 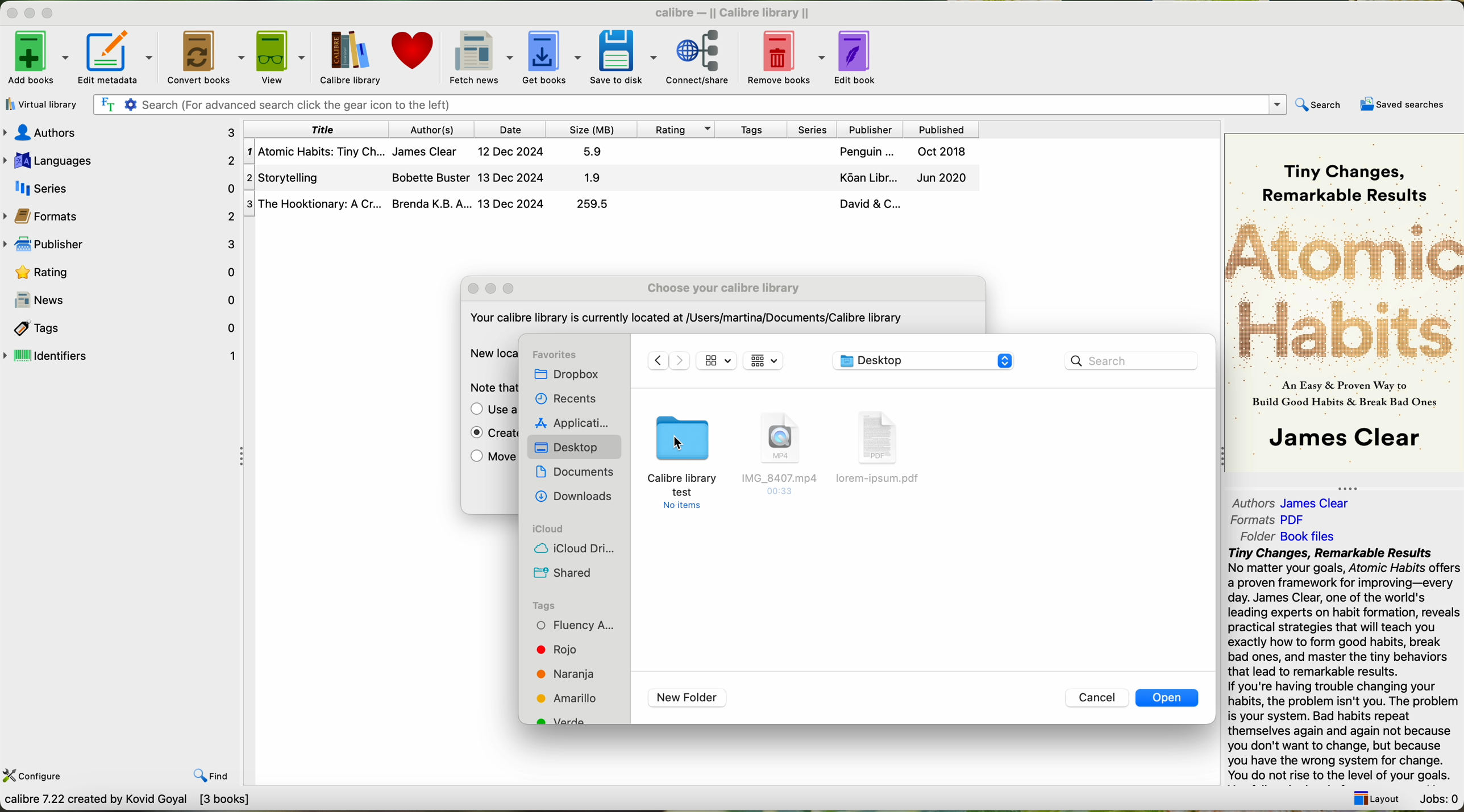 I want to click on author, so click(x=434, y=129).